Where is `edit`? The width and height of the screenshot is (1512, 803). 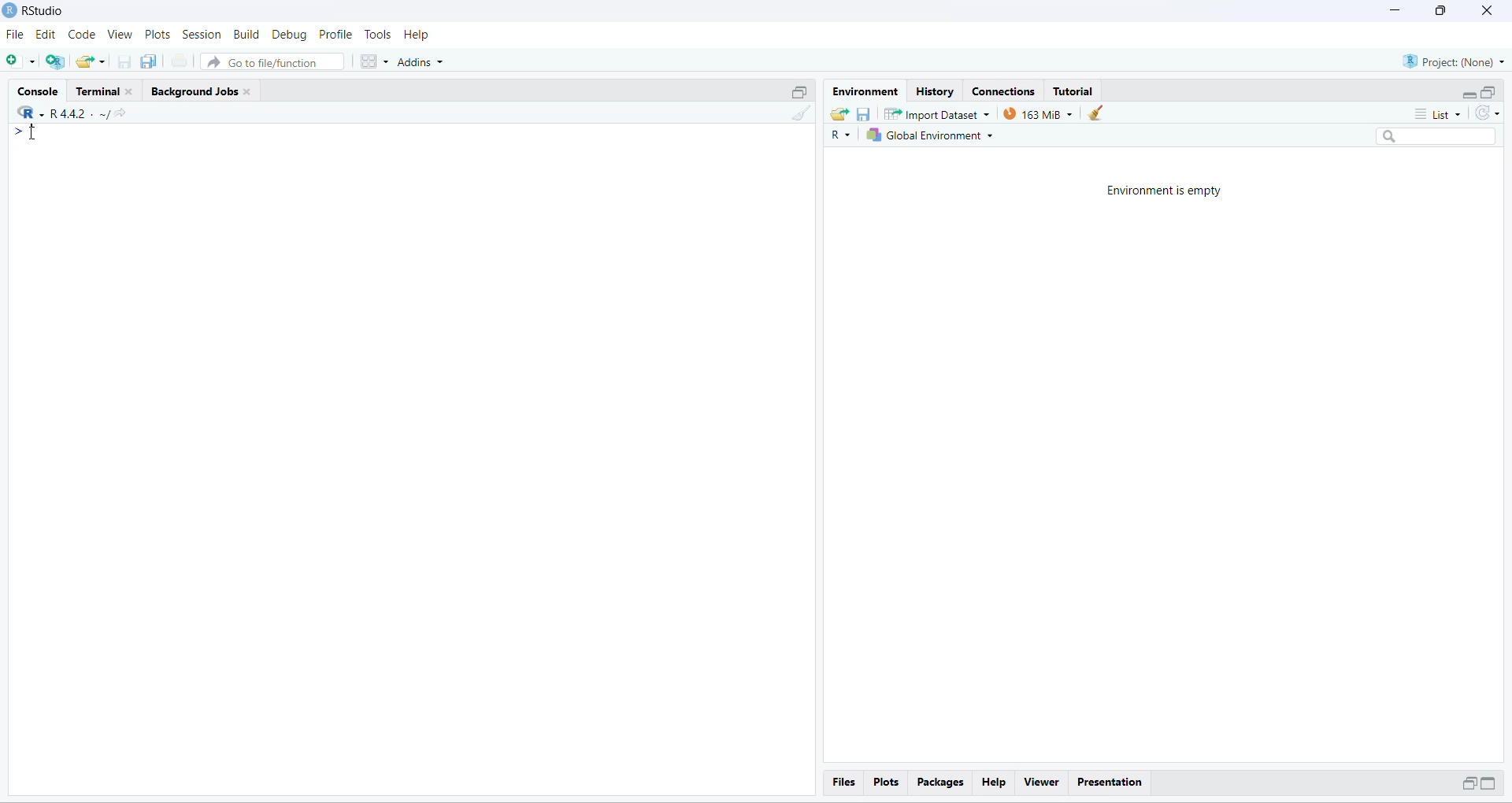 edit is located at coordinates (45, 35).